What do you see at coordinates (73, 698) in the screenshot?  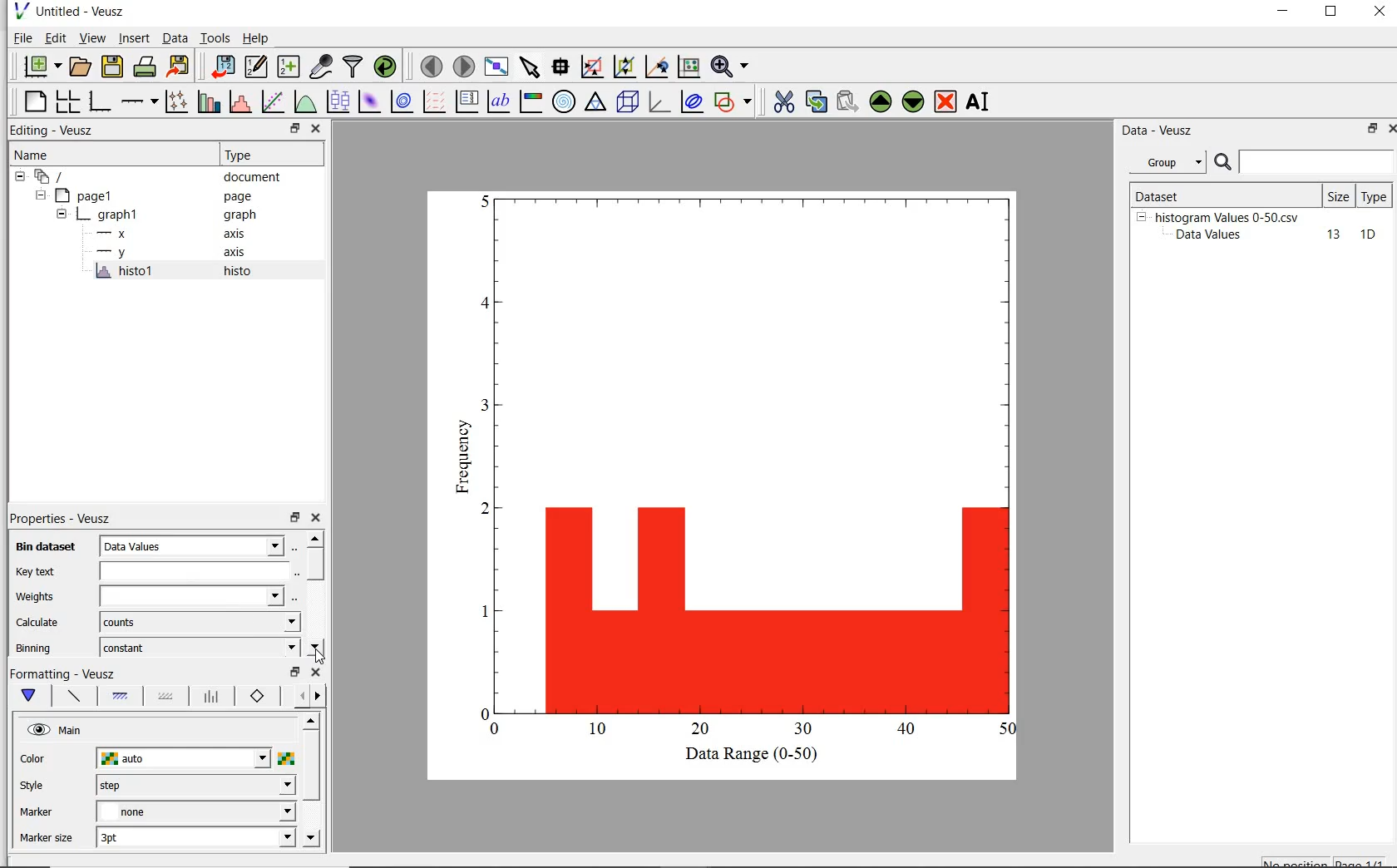 I see `plot line` at bounding box center [73, 698].